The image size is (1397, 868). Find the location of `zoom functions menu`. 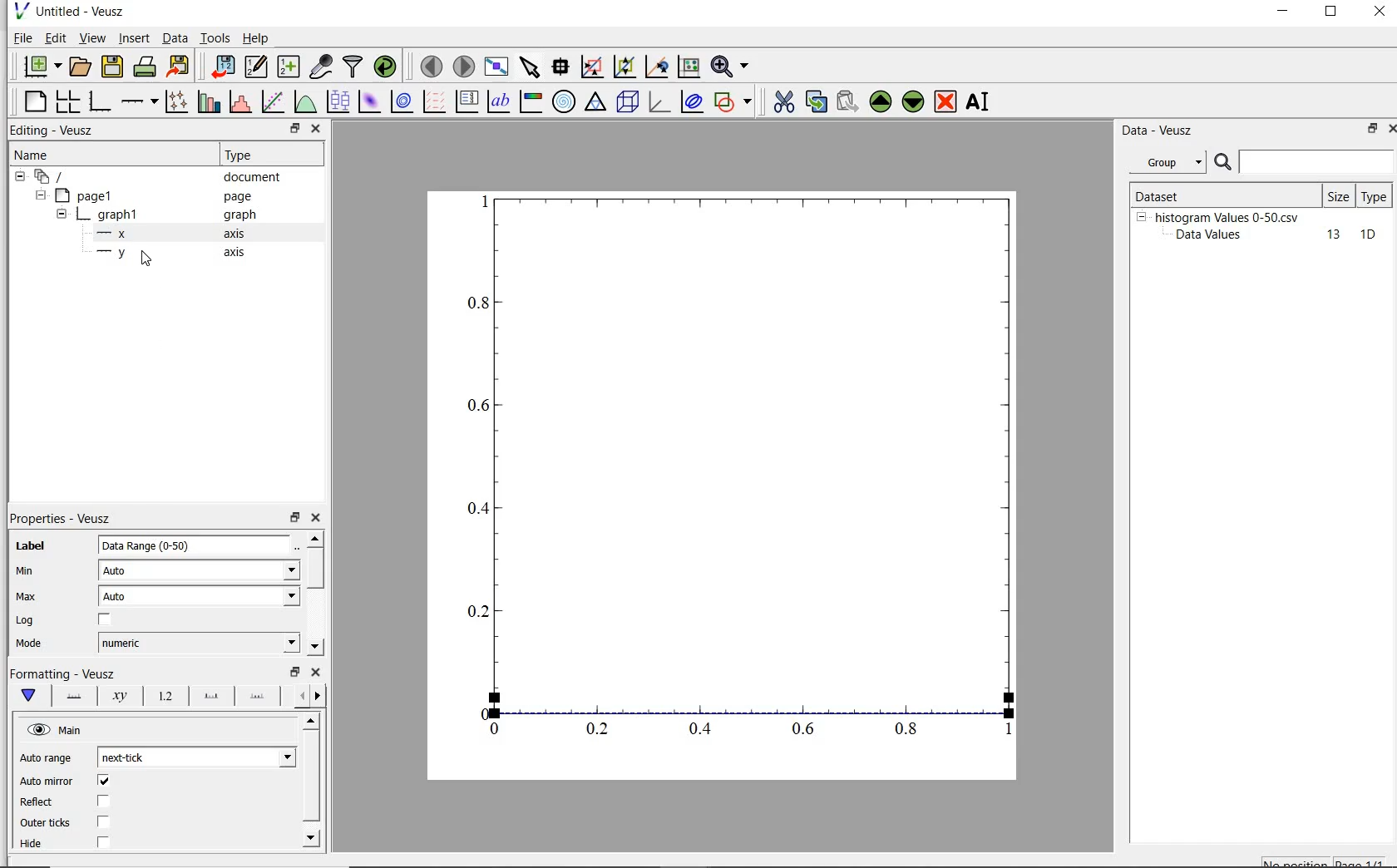

zoom functions menu is located at coordinates (730, 67).